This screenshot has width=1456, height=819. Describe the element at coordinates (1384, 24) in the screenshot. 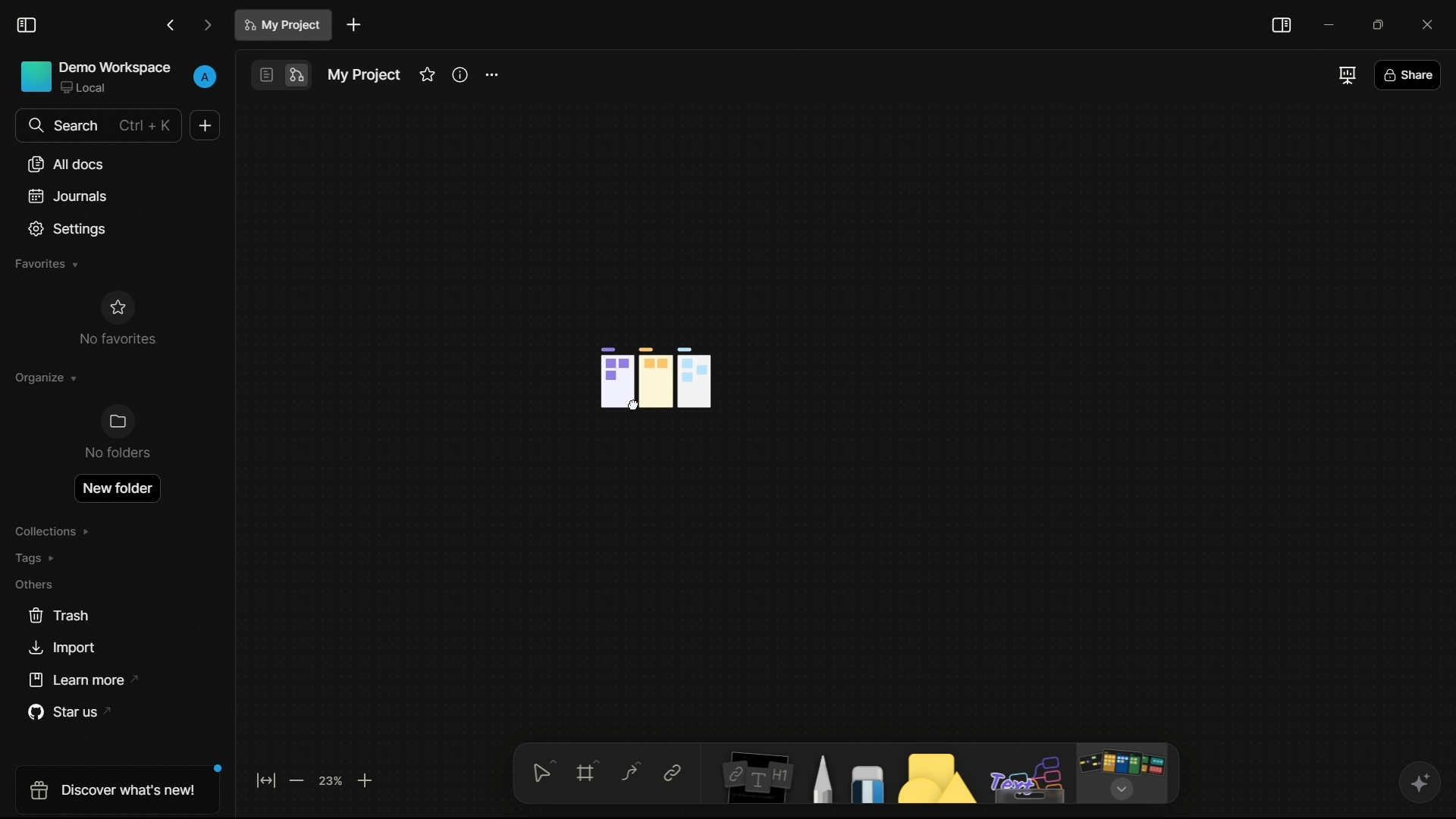

I see `maximize or restore` at that location.